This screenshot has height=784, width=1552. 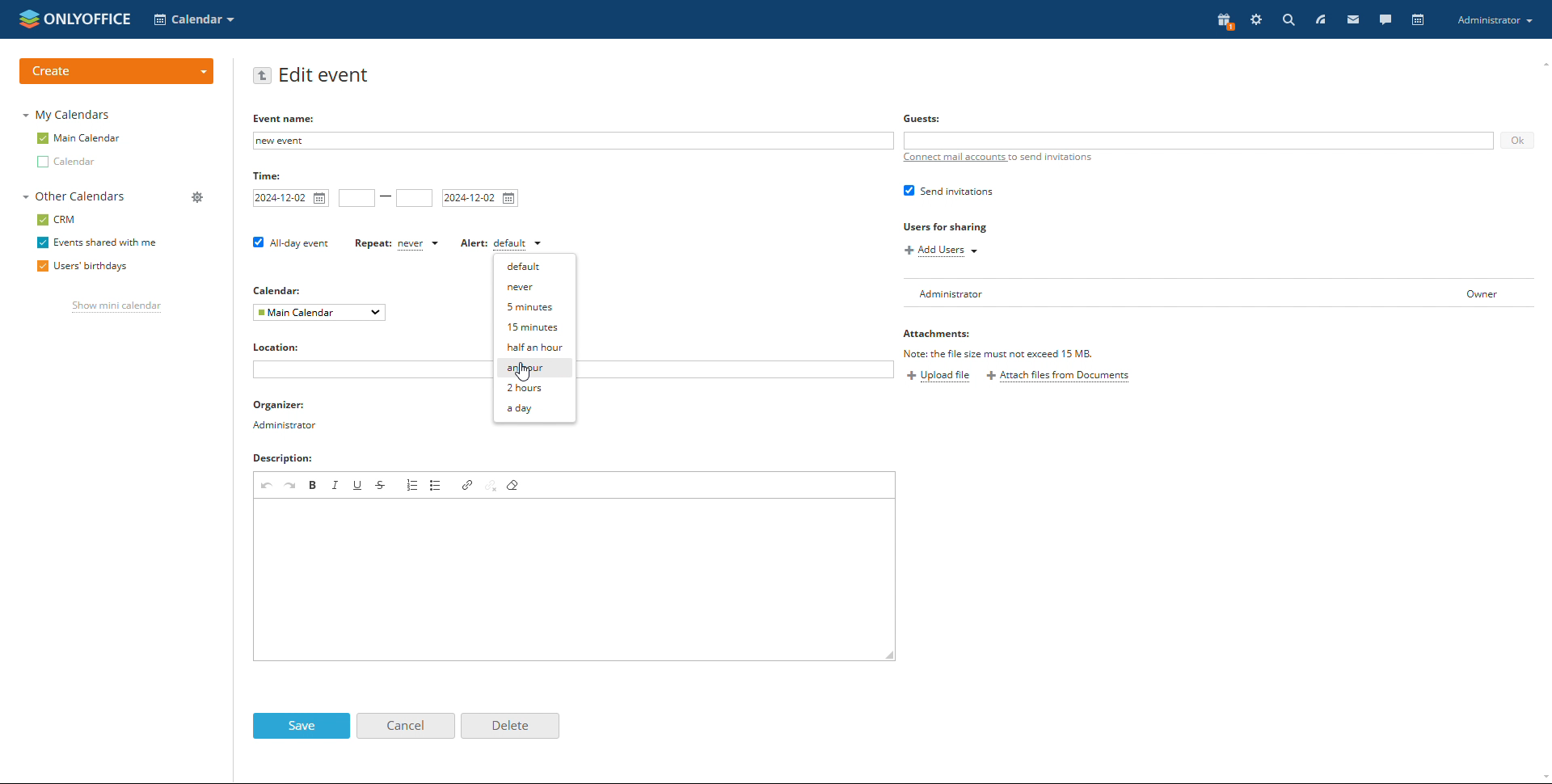 I want to click on other calendar, so click(x=65, y=163).